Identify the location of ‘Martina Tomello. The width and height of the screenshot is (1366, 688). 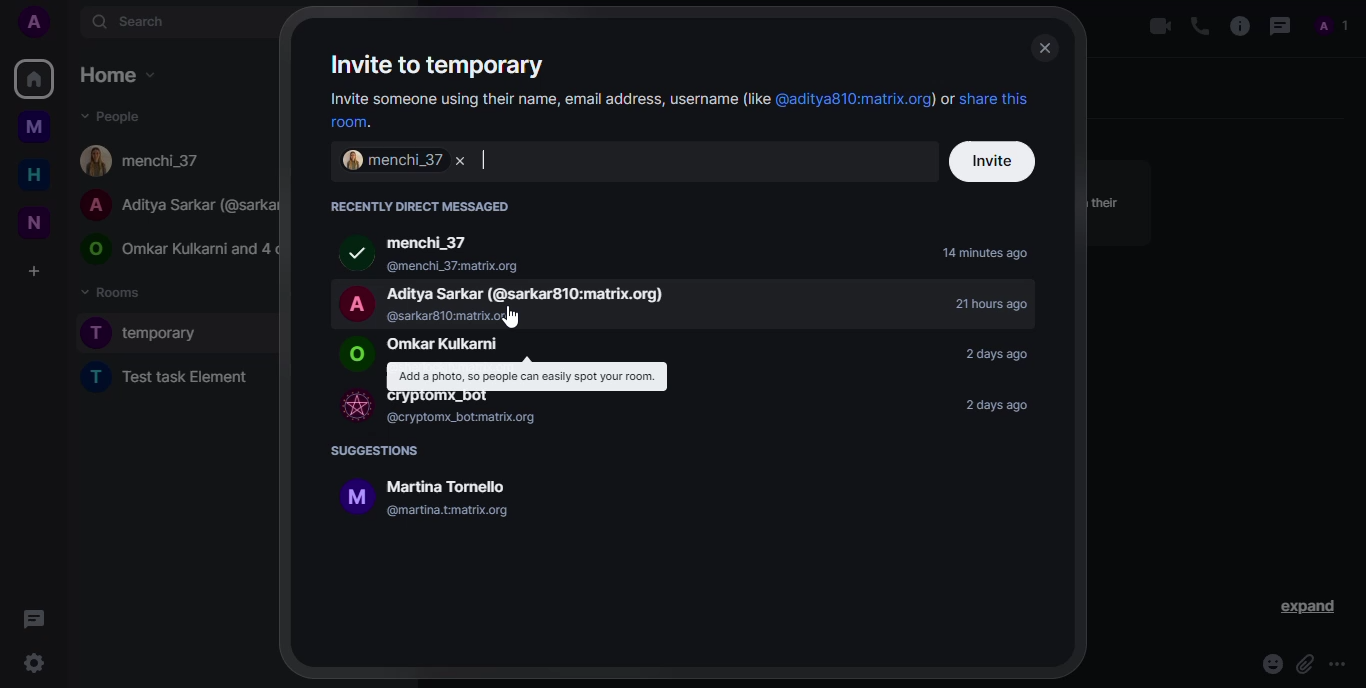
(444, 486).